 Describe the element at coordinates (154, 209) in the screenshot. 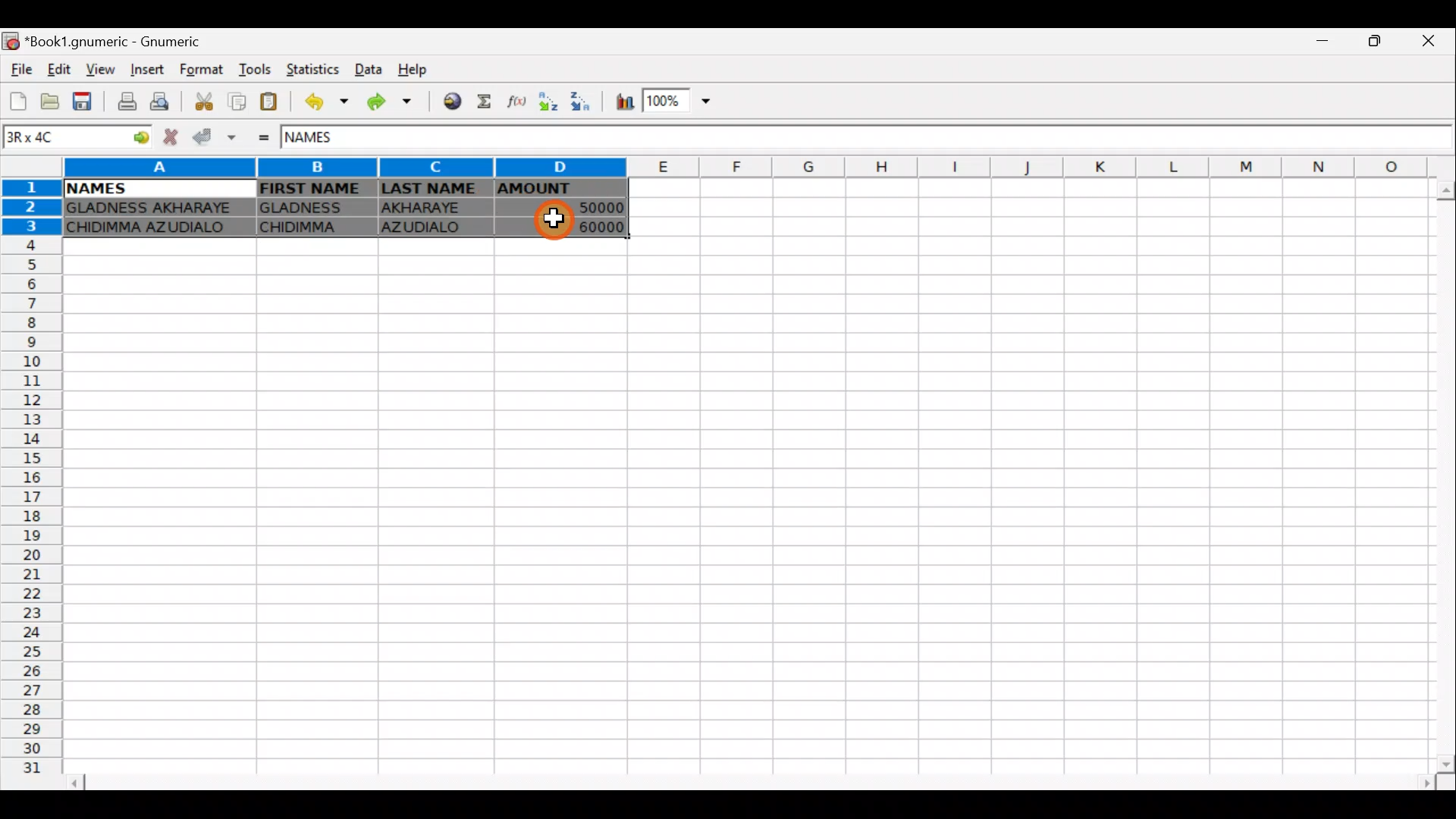

I see `GLADNESS AKHARAYE` at that location.